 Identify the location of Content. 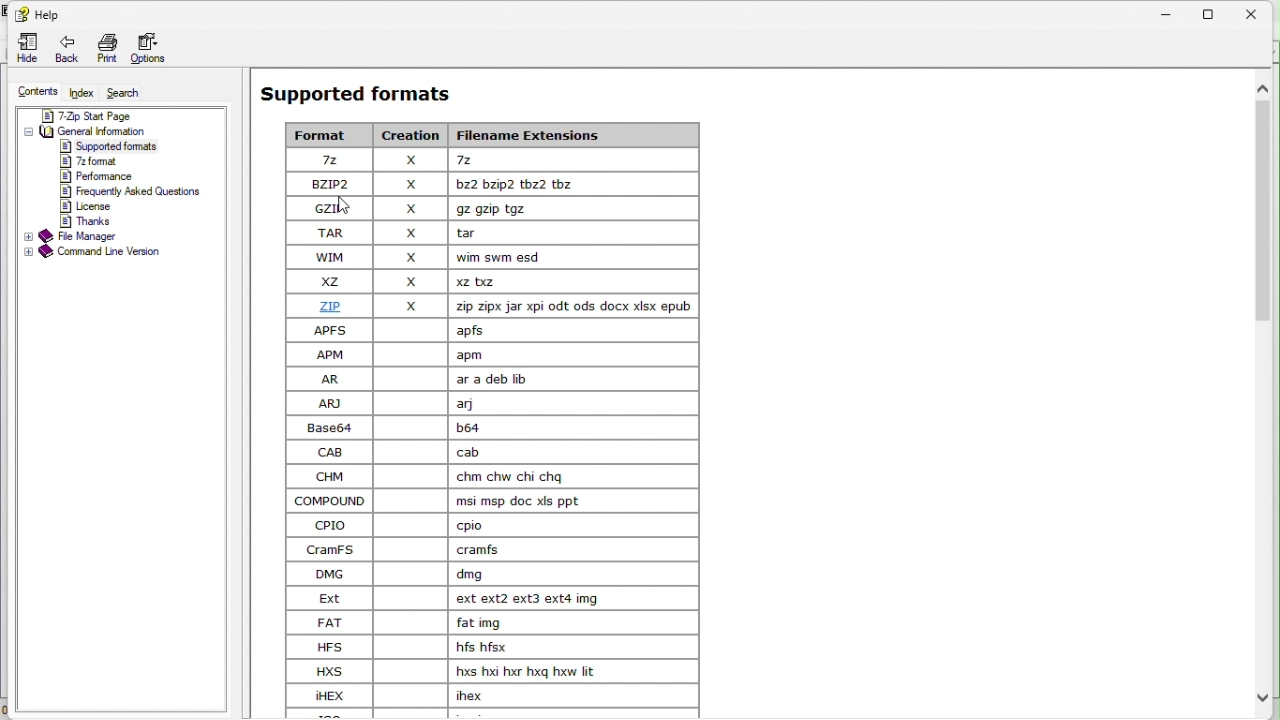
(35, 91).